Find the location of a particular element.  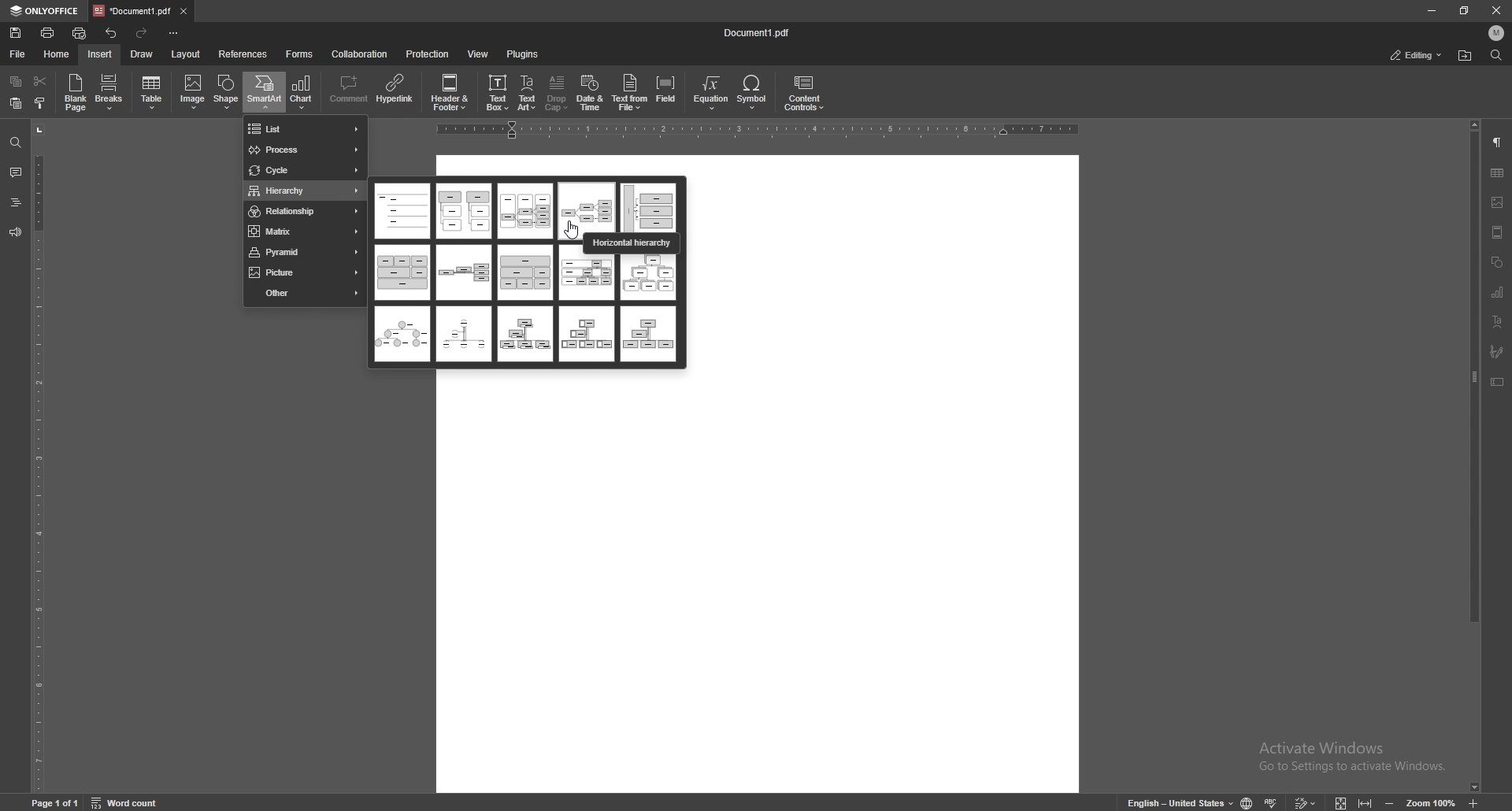

feedback is located at coordinates (15, 233).